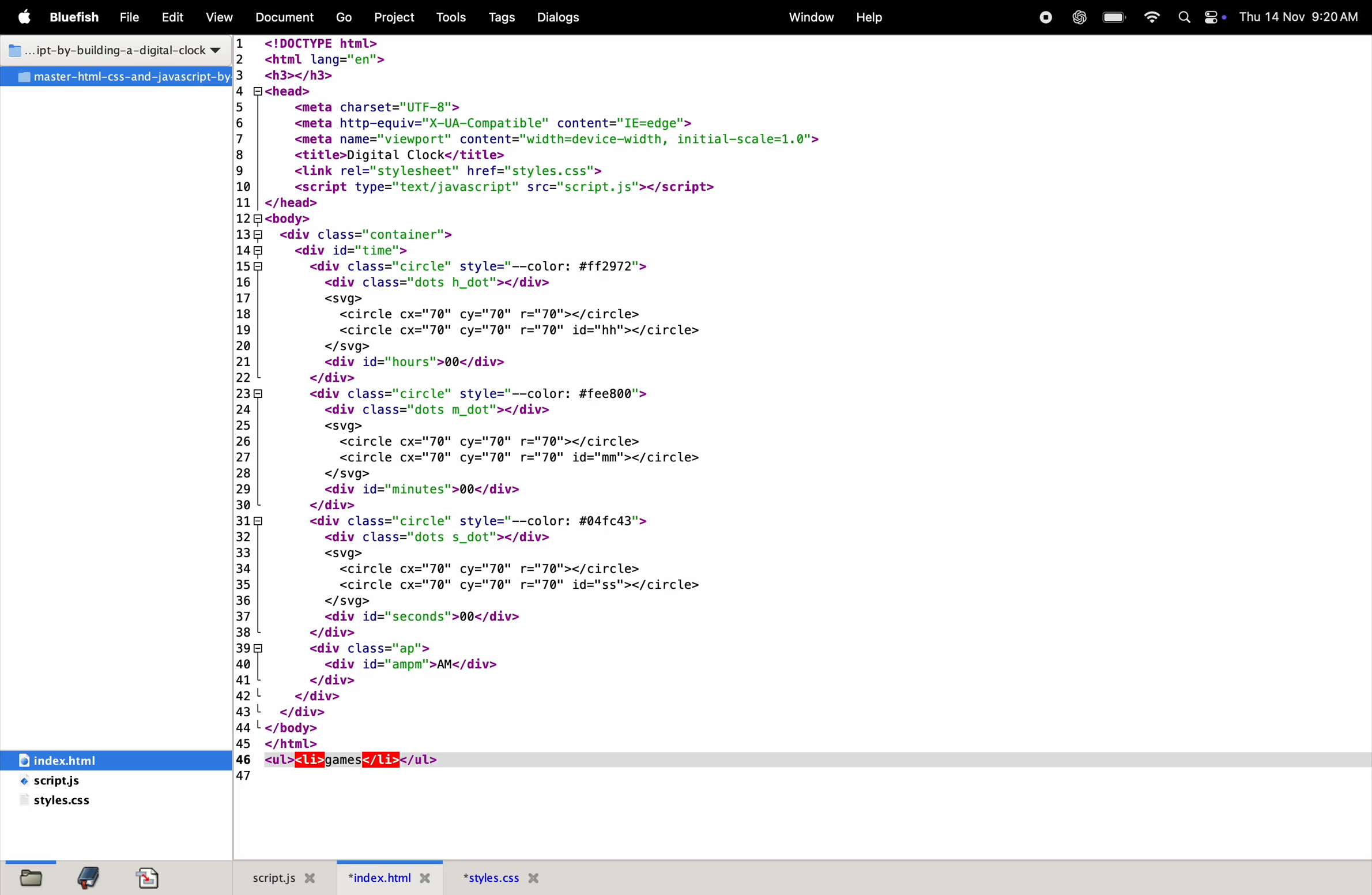 Image resolution: width=1372 pixels, height=895 pixels. I want to click on master, so click(115, 77).